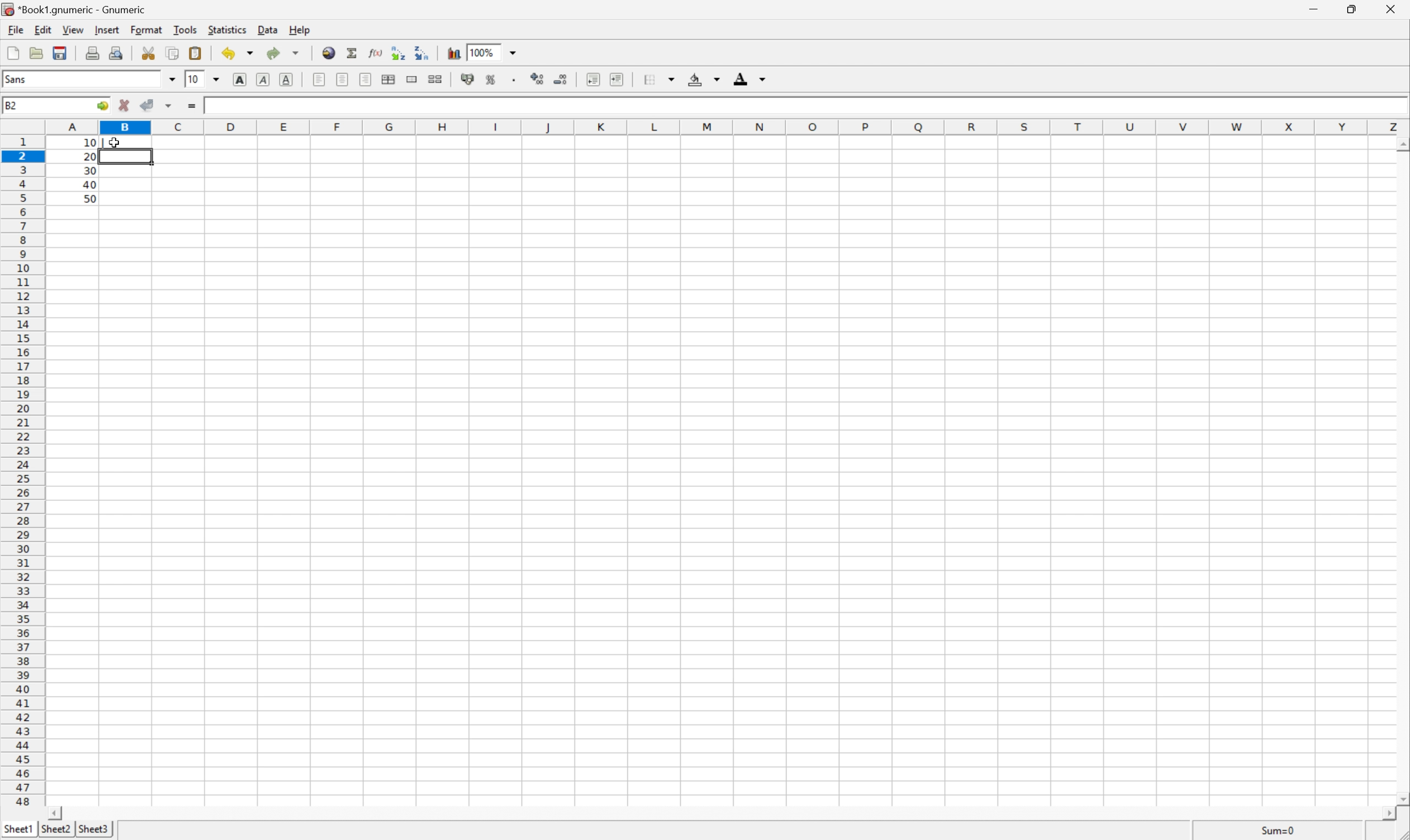 The height and width of the screenshot is (840, 1410). What do you see at coordinates (1401, 799) in the screenshot?
I see `Scroll Down` at bounding box center [1401, 799].